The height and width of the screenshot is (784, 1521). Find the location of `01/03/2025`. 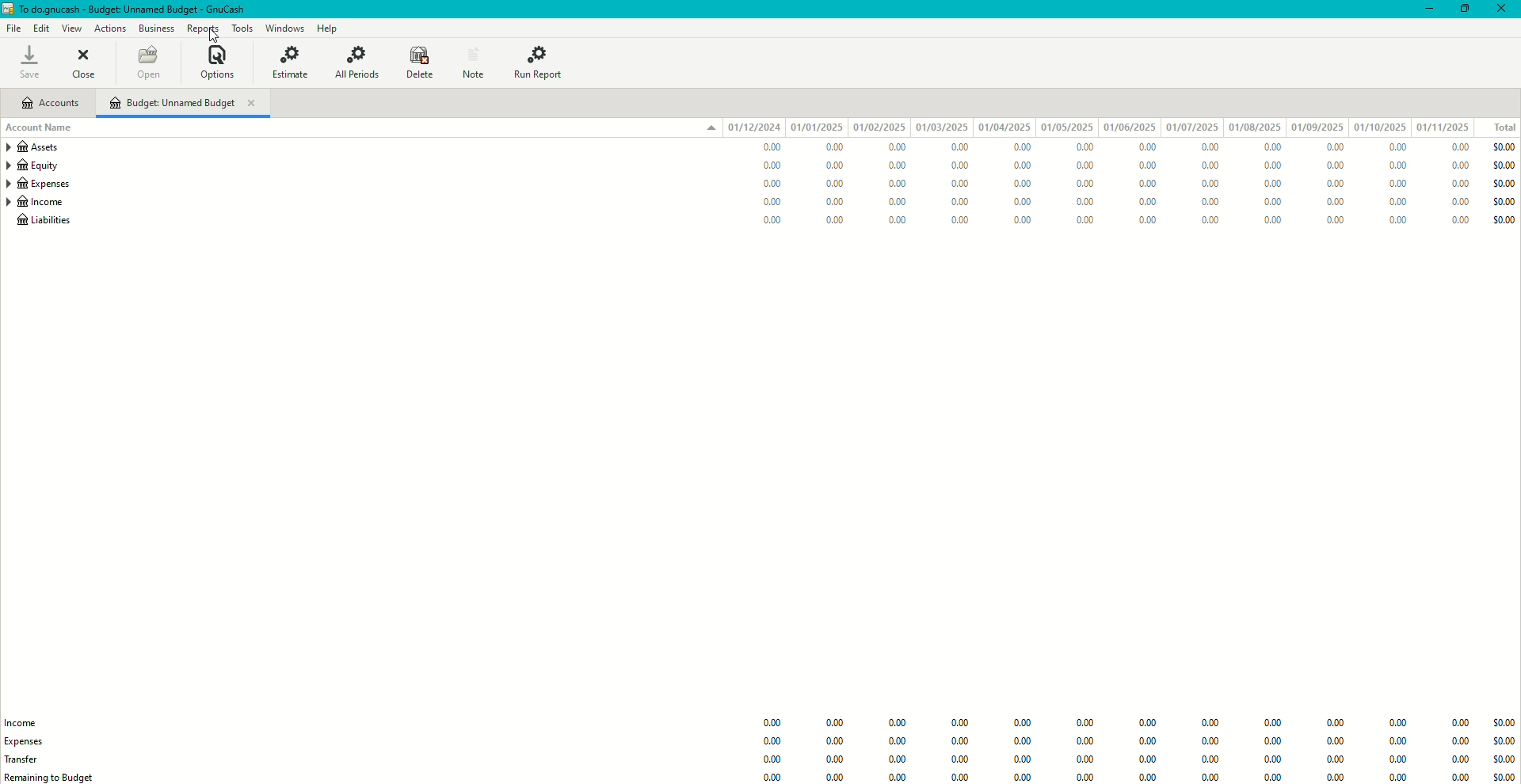

01/03/2025 is located at coordinates (941, 127).